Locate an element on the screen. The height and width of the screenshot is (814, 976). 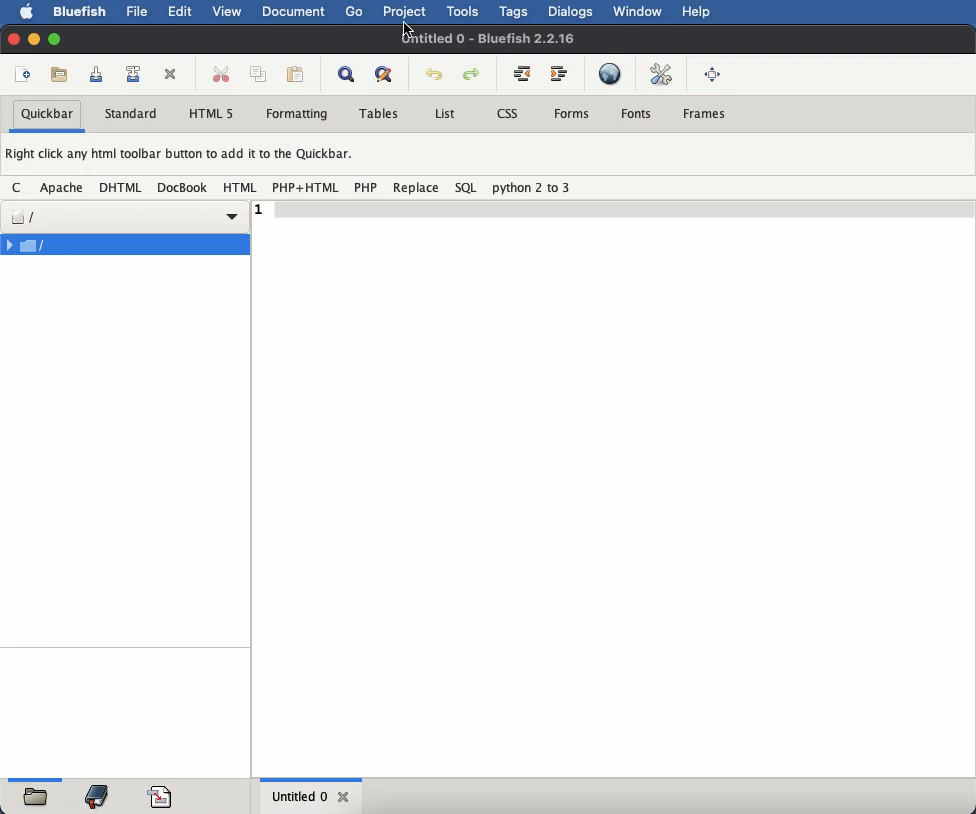
paste is located at coordinates (297, 74).